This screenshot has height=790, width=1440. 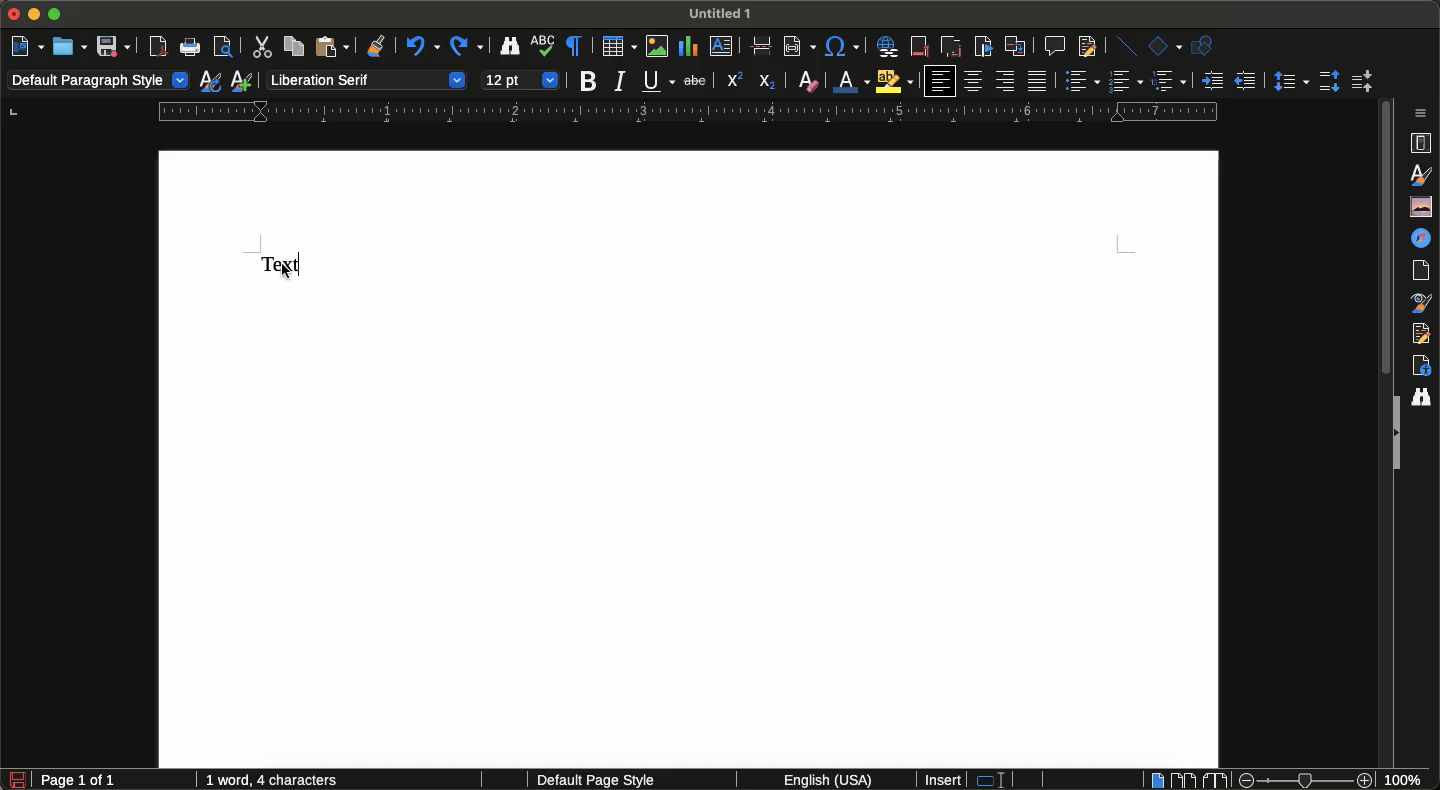 I want to click on Page count, so click(x=114, y=781).